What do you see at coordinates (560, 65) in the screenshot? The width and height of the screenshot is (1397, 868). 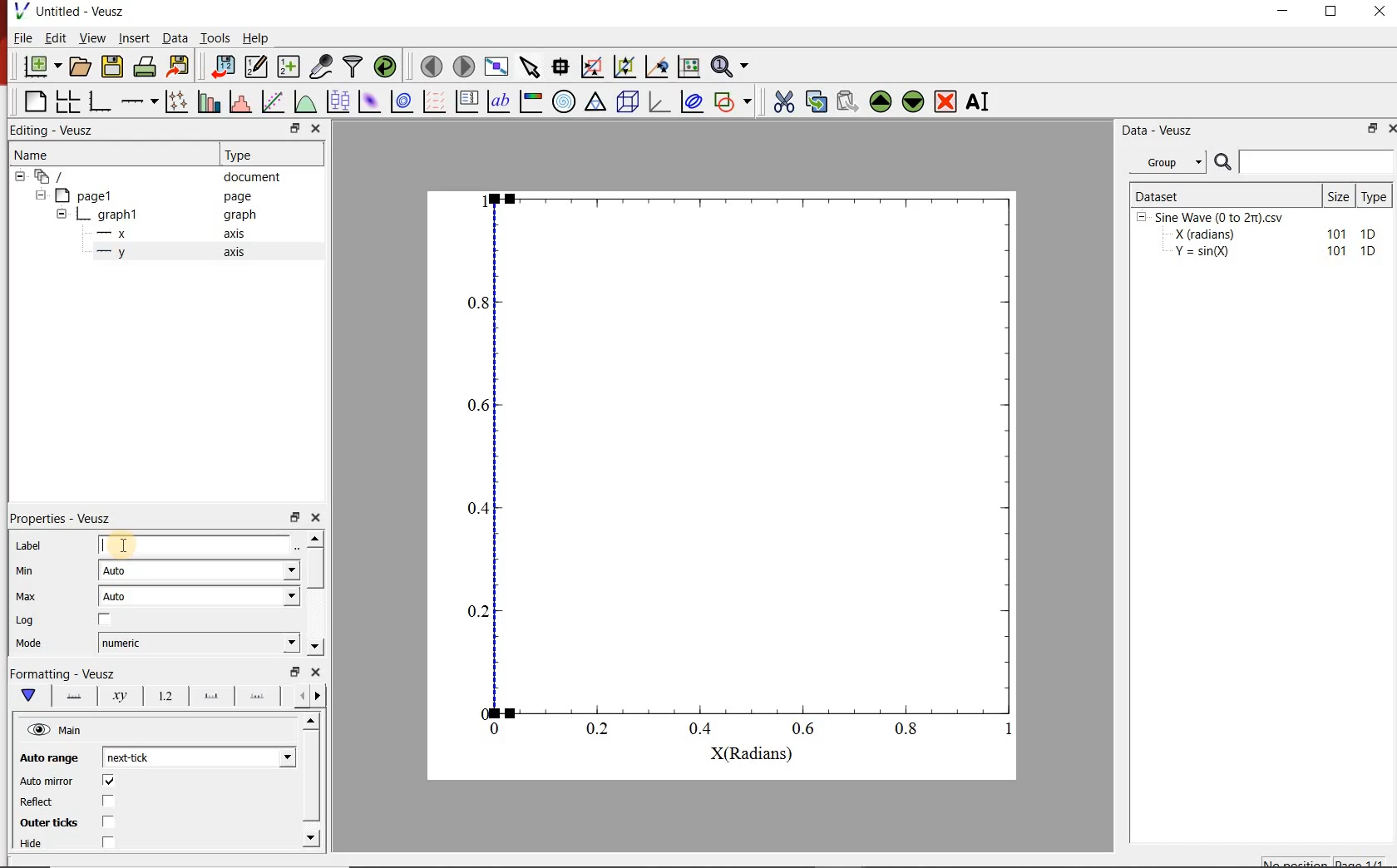 I see `read data points` at bounding box center [560, 65].